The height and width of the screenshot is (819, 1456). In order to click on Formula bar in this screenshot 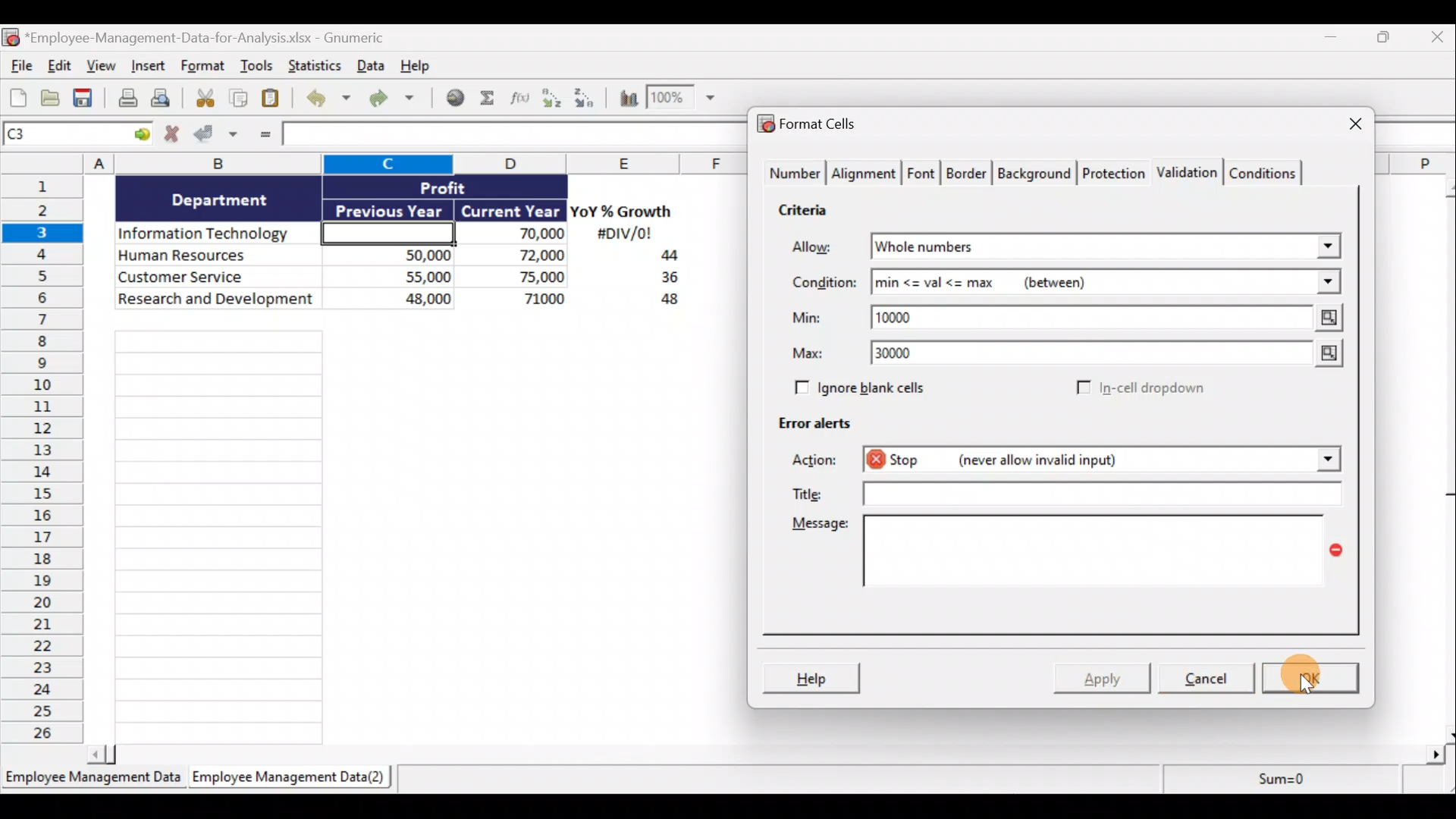, I will do `click(510, 136)`.